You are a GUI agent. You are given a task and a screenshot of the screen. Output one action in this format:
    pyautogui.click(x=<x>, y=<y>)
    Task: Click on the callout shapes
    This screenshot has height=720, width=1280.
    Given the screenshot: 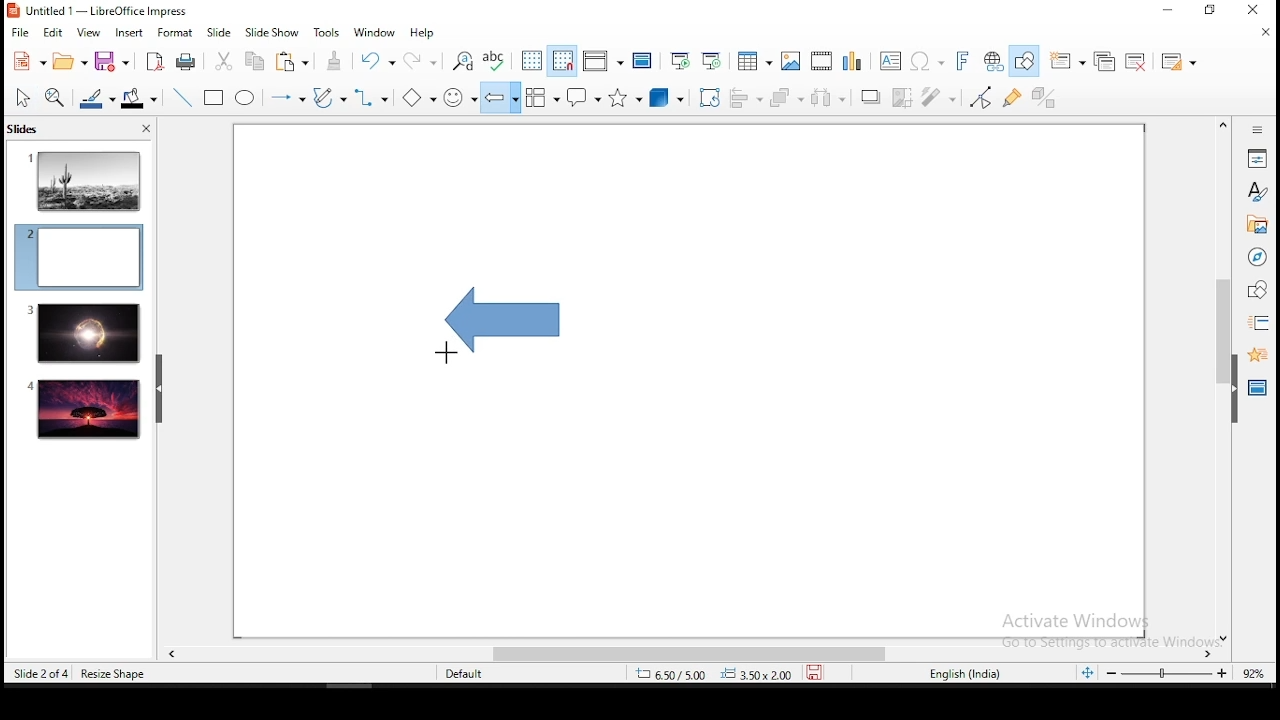 What is the action you would take?
    pyautogui.click(x=584, y=98)
    